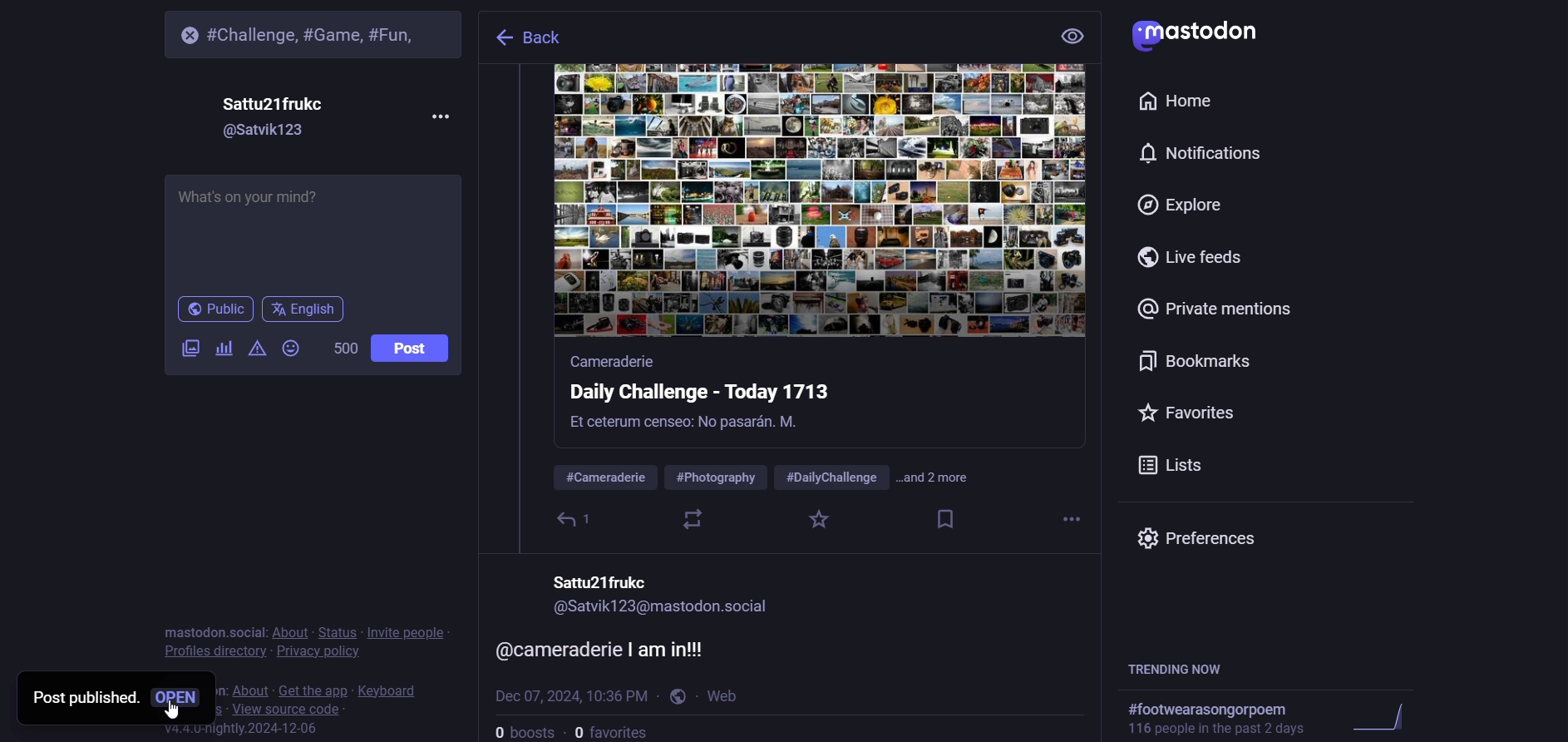 The image size is (1568, 742). I want to click on favorites, so click(1187, 411).